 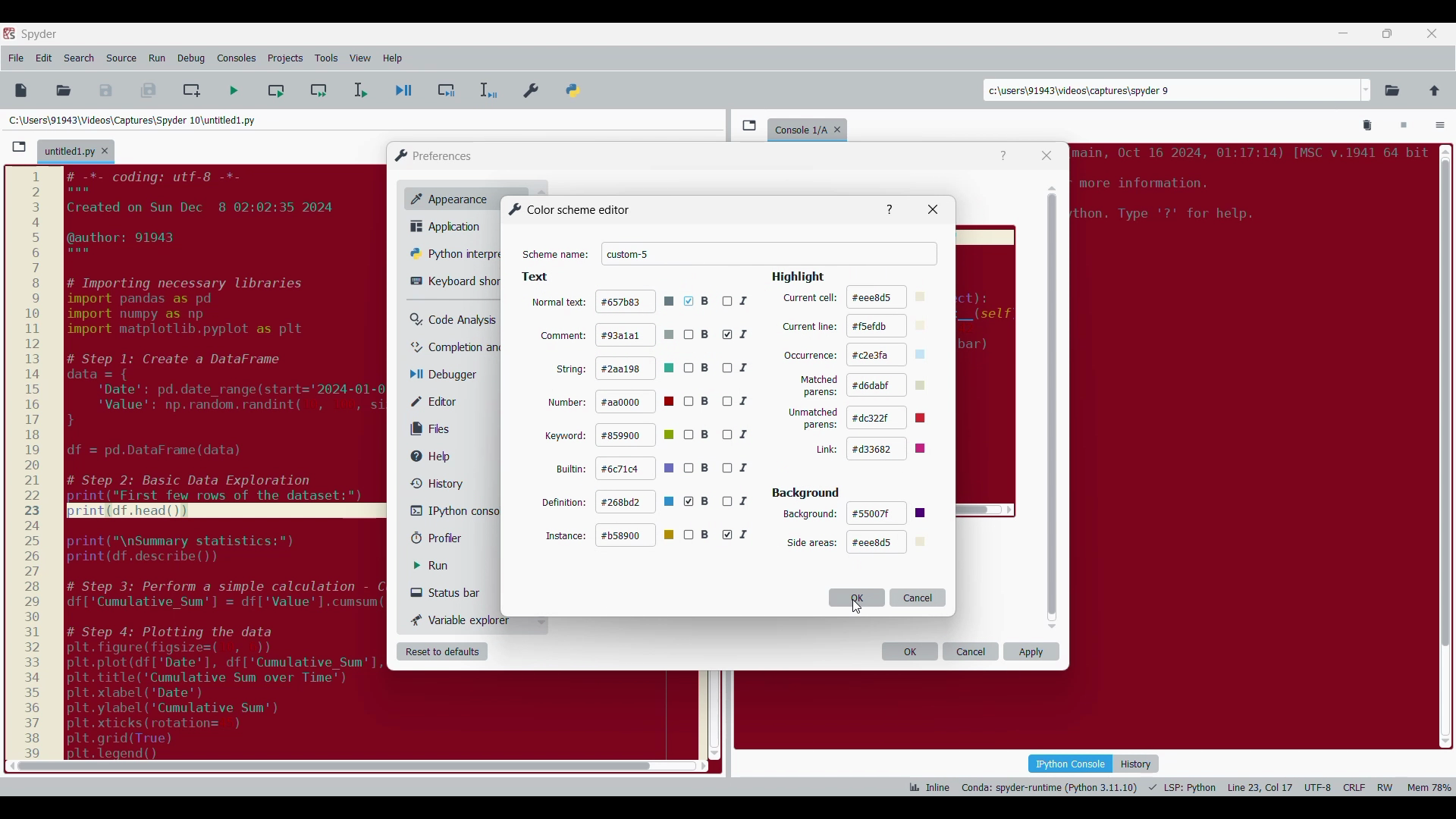 What do you see at coordinates (738, 402) in the screenshot?
I see `I` at bounding box center [738, 402].